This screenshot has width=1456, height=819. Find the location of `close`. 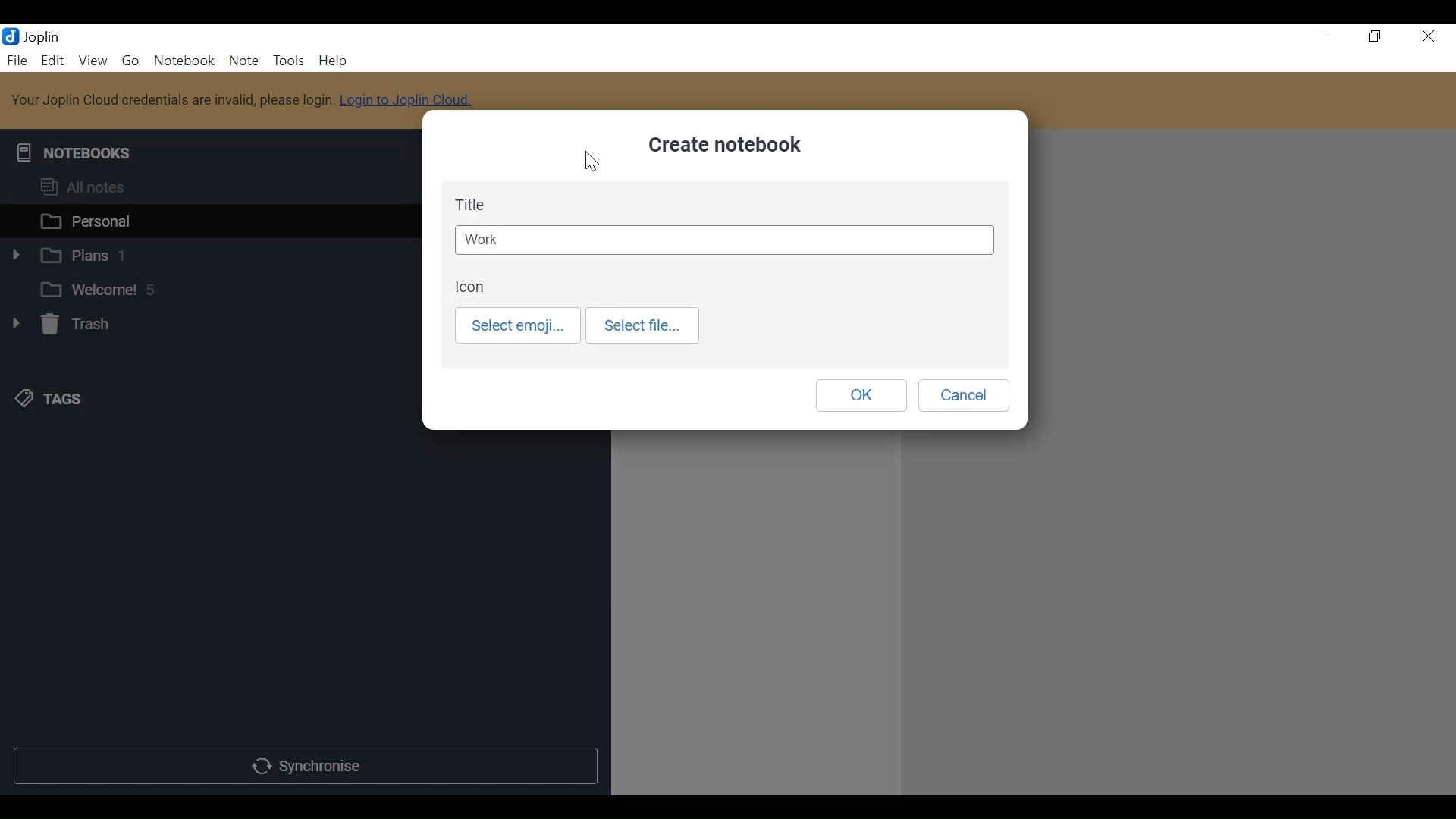

close is located at coordinates (1428, 37).